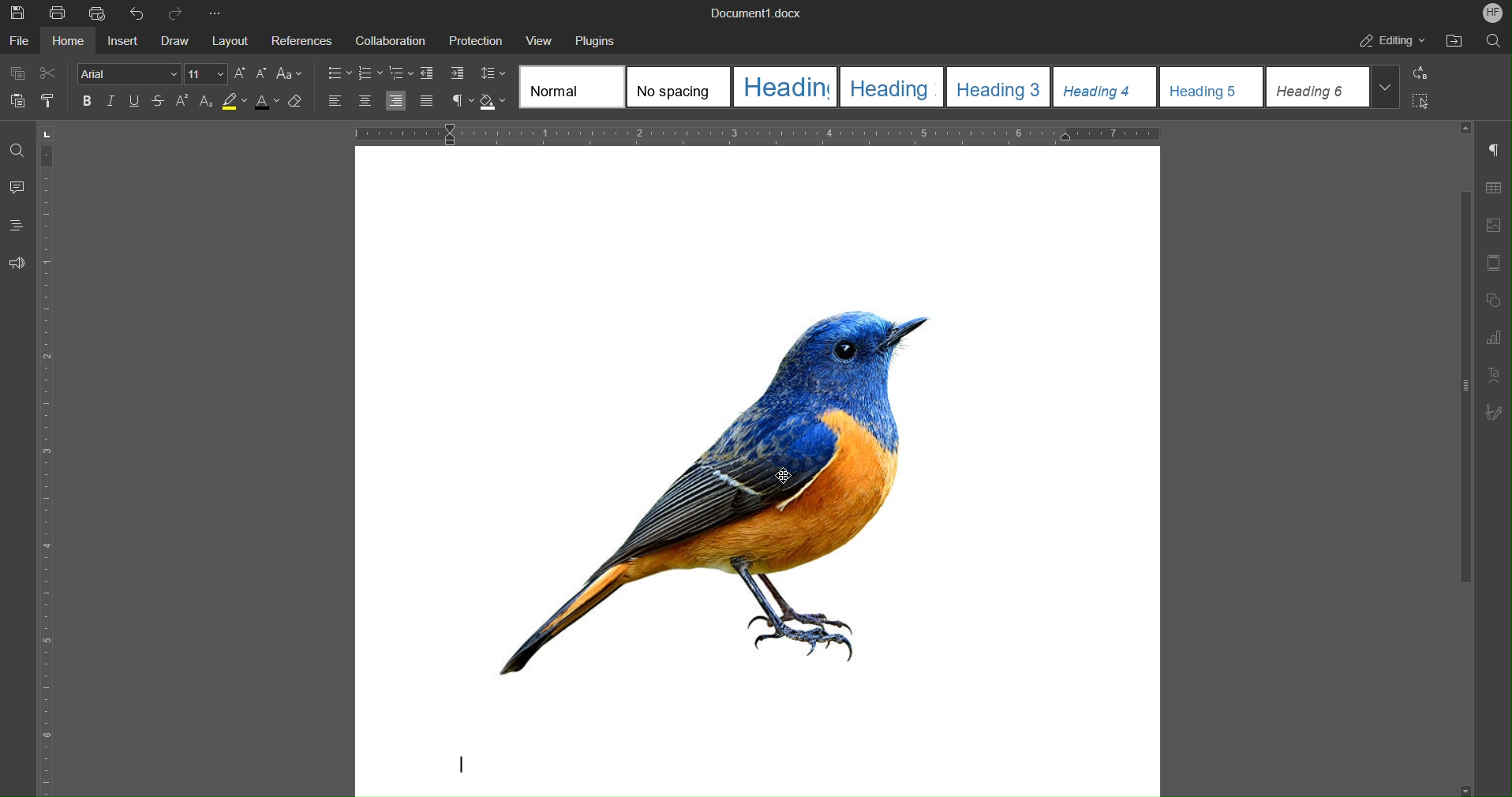 The width and height of the screenshot is (1512, 797). Describe the element at coordinates (1106, 85) in the screenshot. I see `Heading 4` at that location.